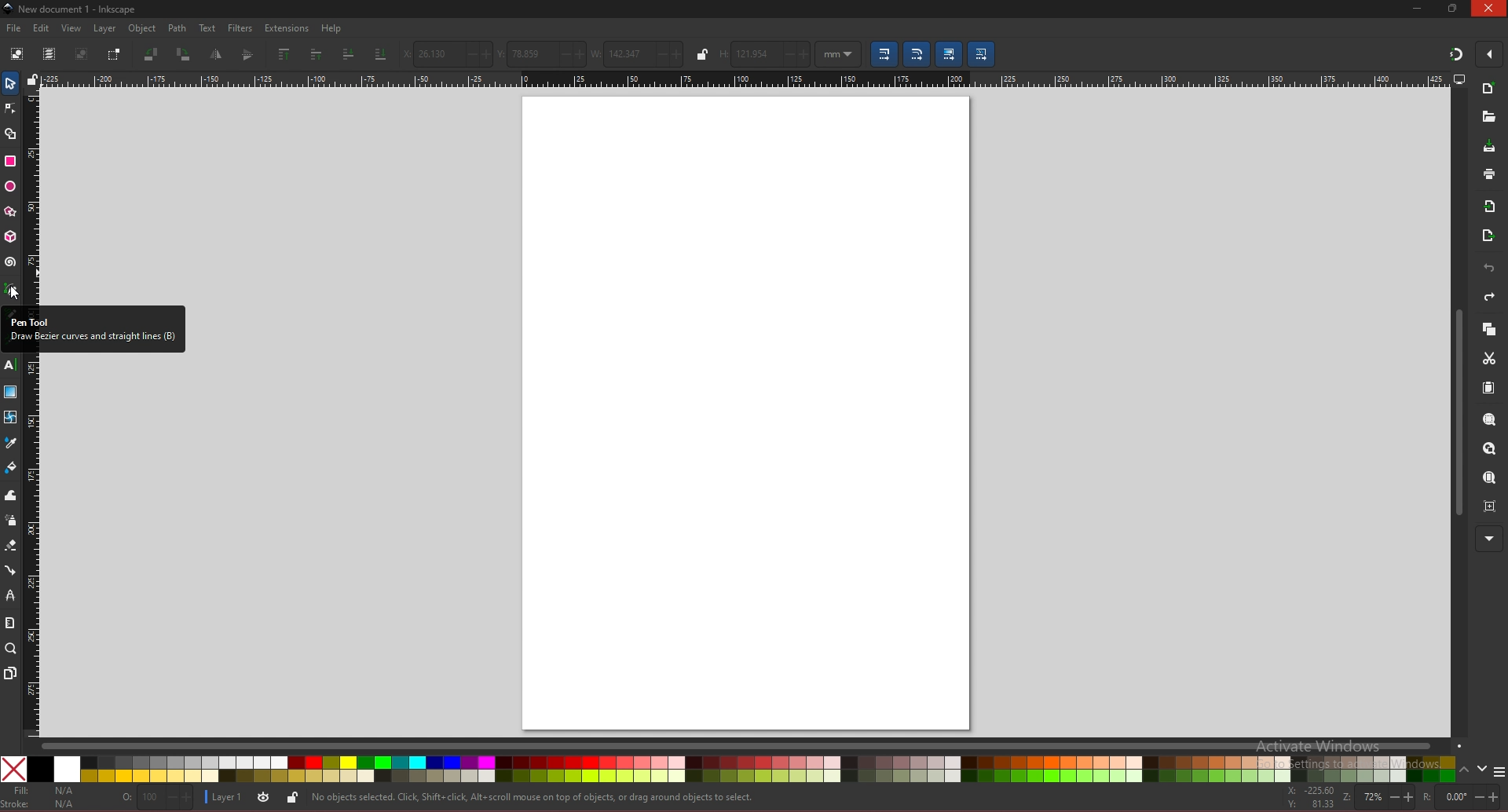 Image resolution: width=1508 pixels, height=812 pixels. Describe the element at coordinates (292, 797) in the screenshot. I see `lock` at that location.